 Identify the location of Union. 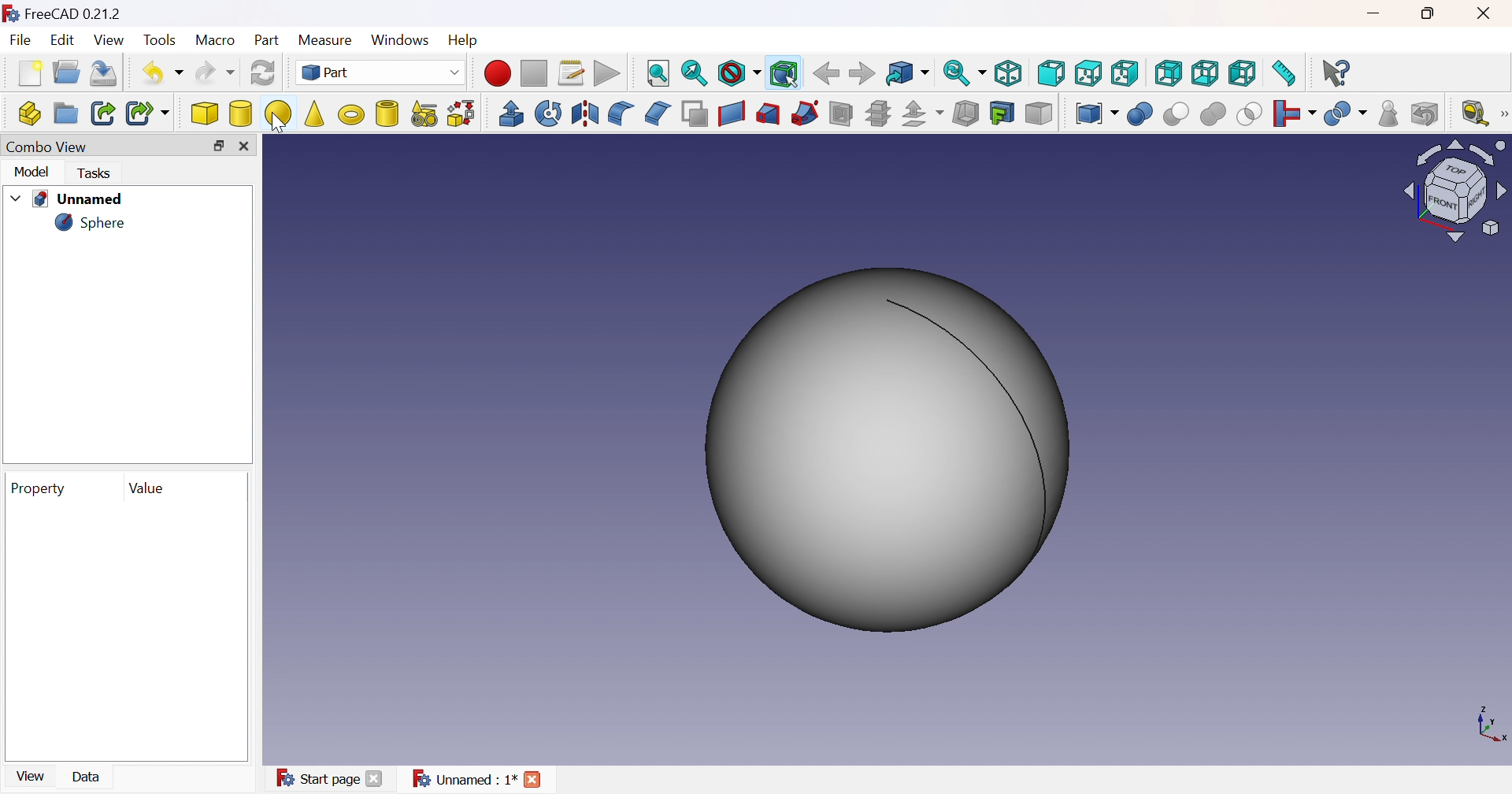
(1217, 114).